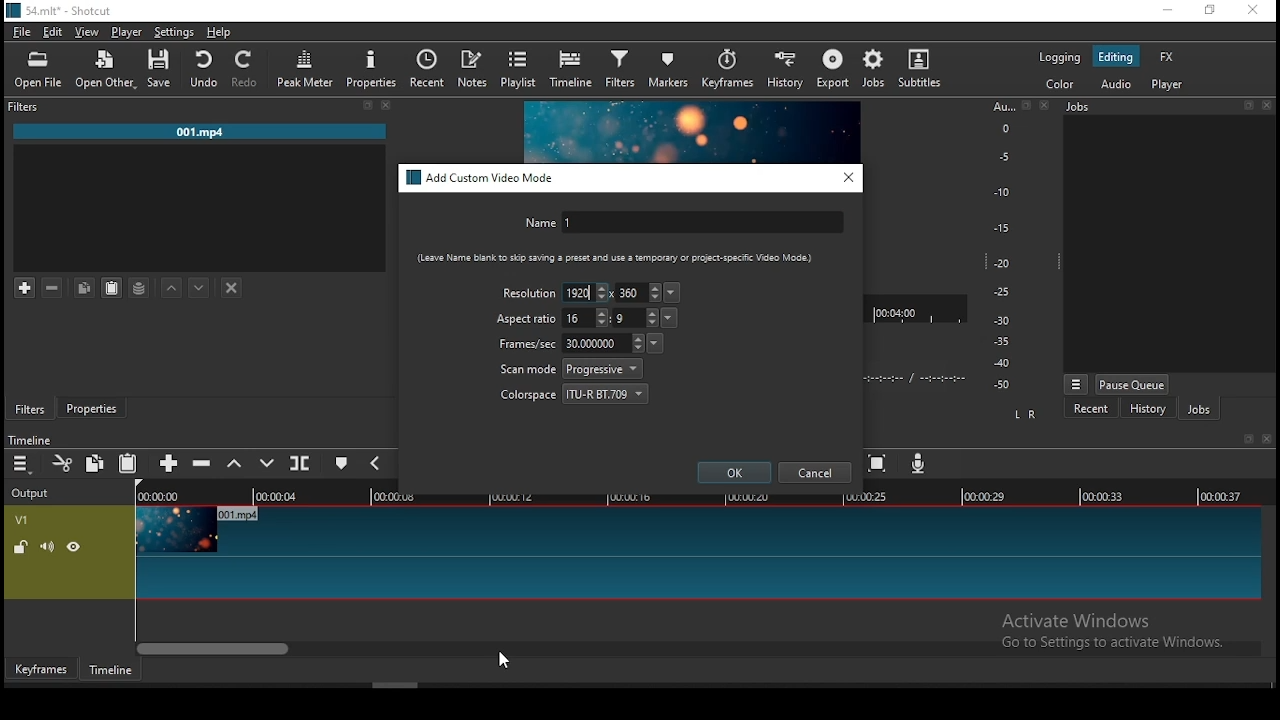 This screenshot has width=1280, height=720. Describe the element at coordinates (233, 289) in the screenshot. I see `deselect filter` at that location.